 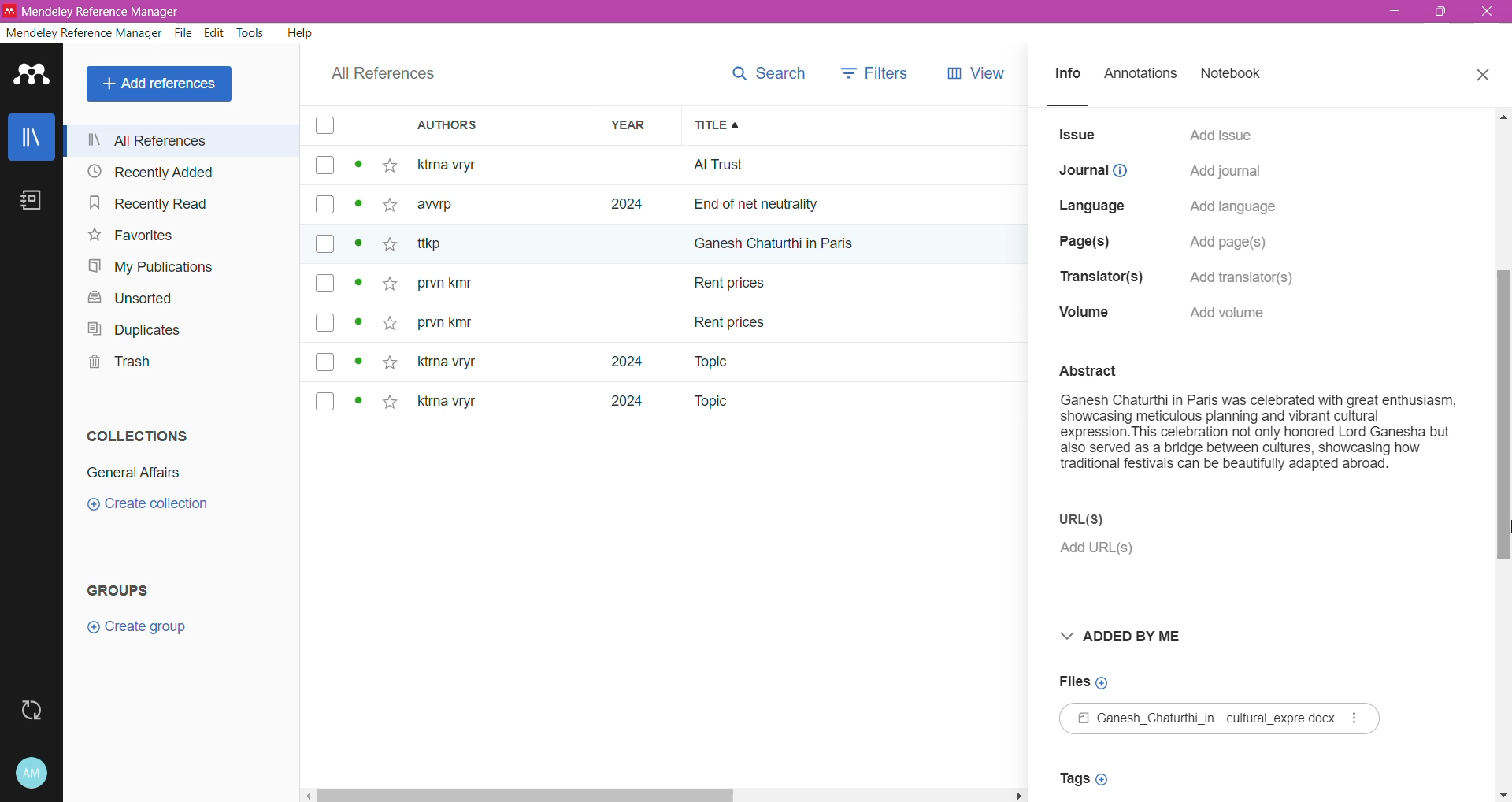 What do you see at coordinates (1088, 238) in the screenshot?
I see `Page(s)` at bounding box center [1088, 238].